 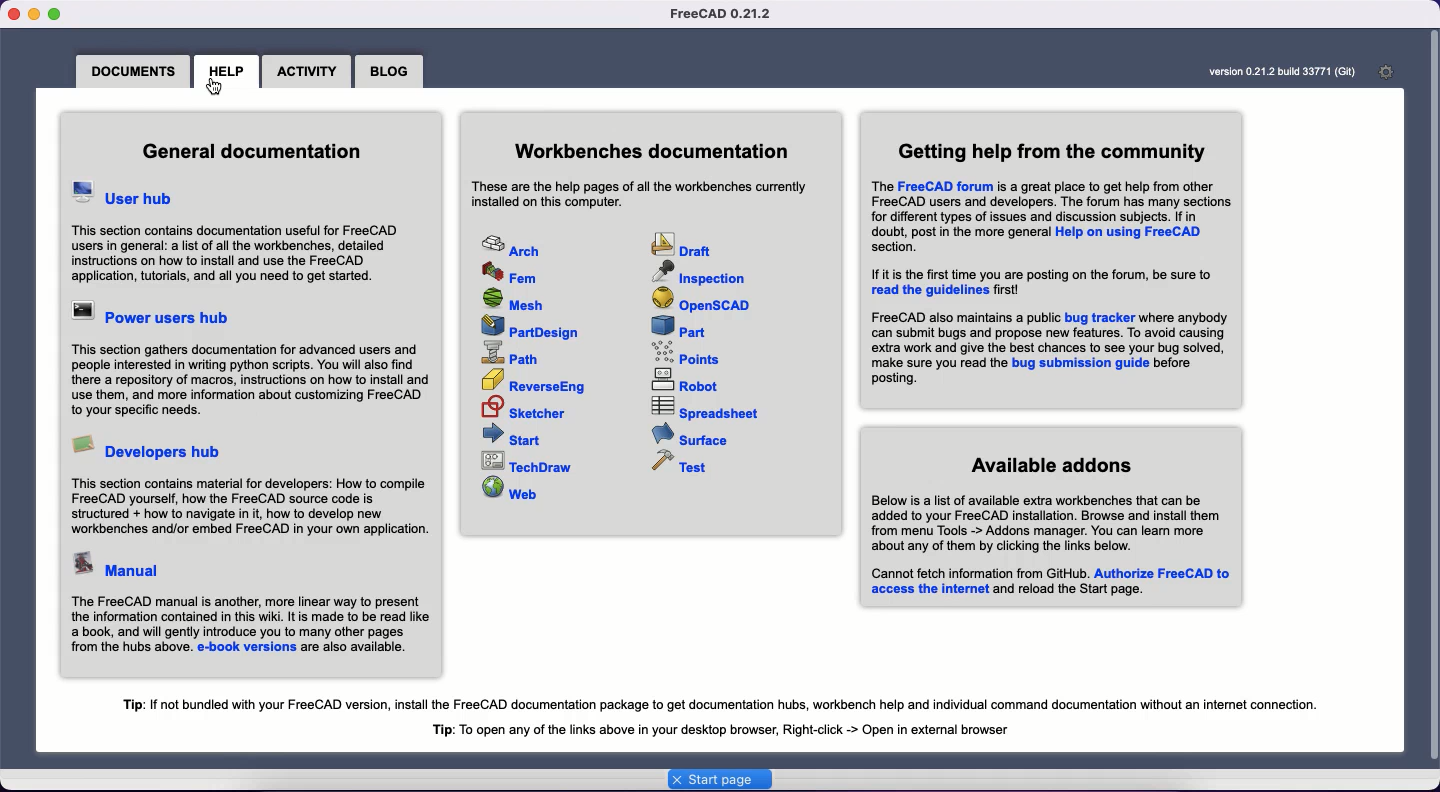 What do you see at coordinates (246, 233) in the screenshot?
I see `User hub` at bounding box center [246, 233].